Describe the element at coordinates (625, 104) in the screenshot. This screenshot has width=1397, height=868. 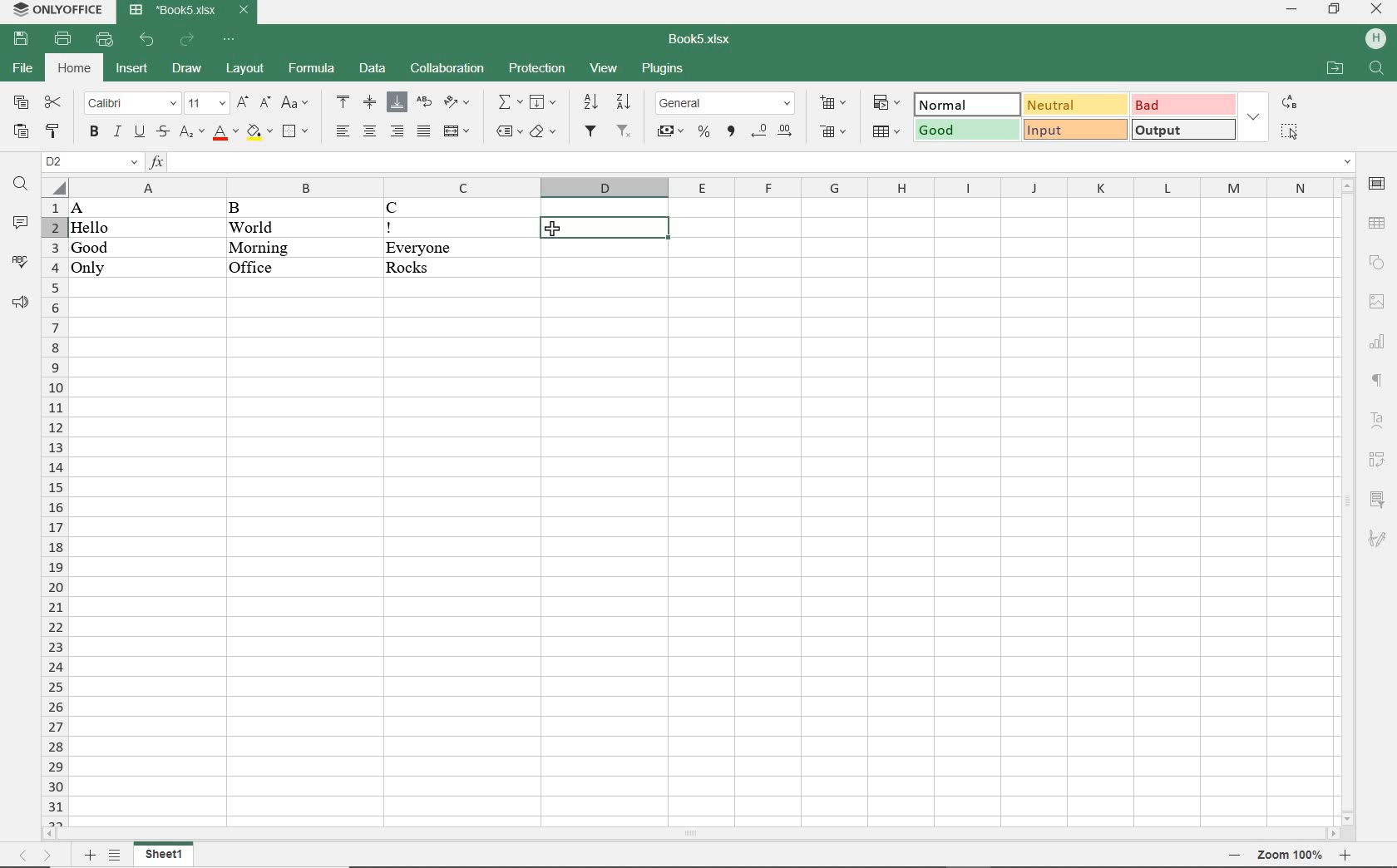
I see `sort descending` at that location.